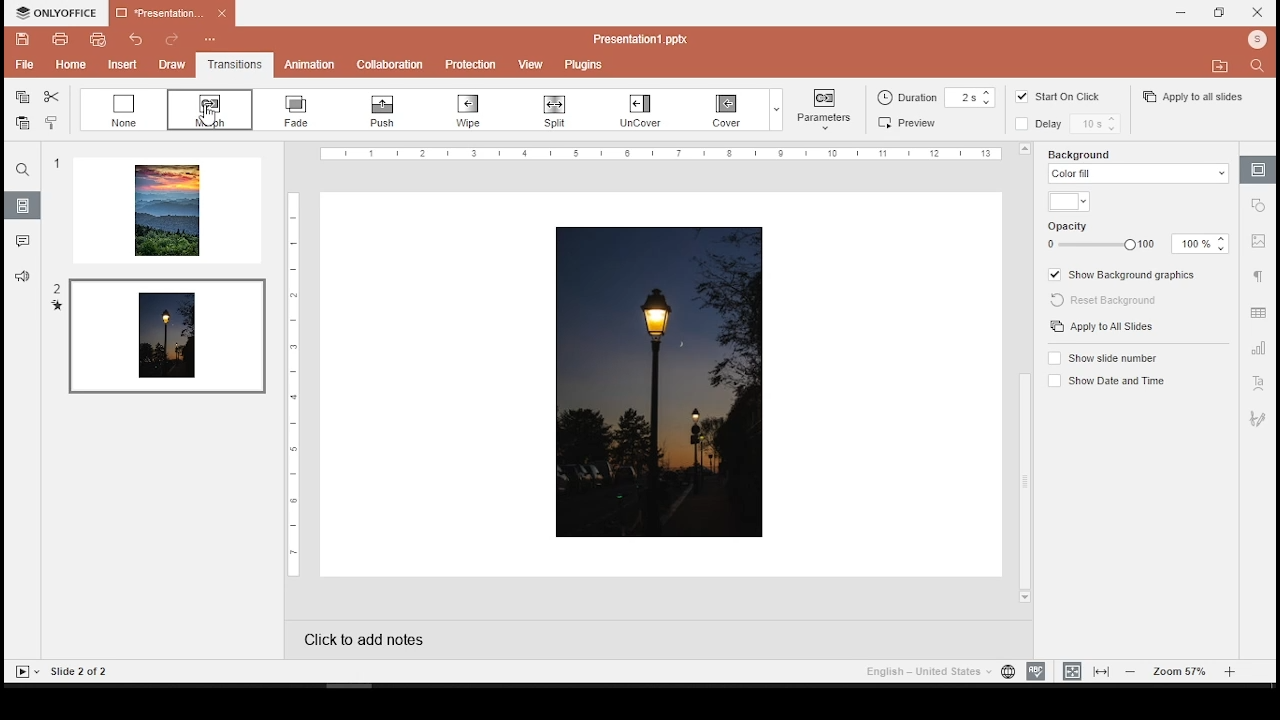  Describe the element at coordinates (1109, 380) in the screenshot. I see `show date and time on/off` at that location.